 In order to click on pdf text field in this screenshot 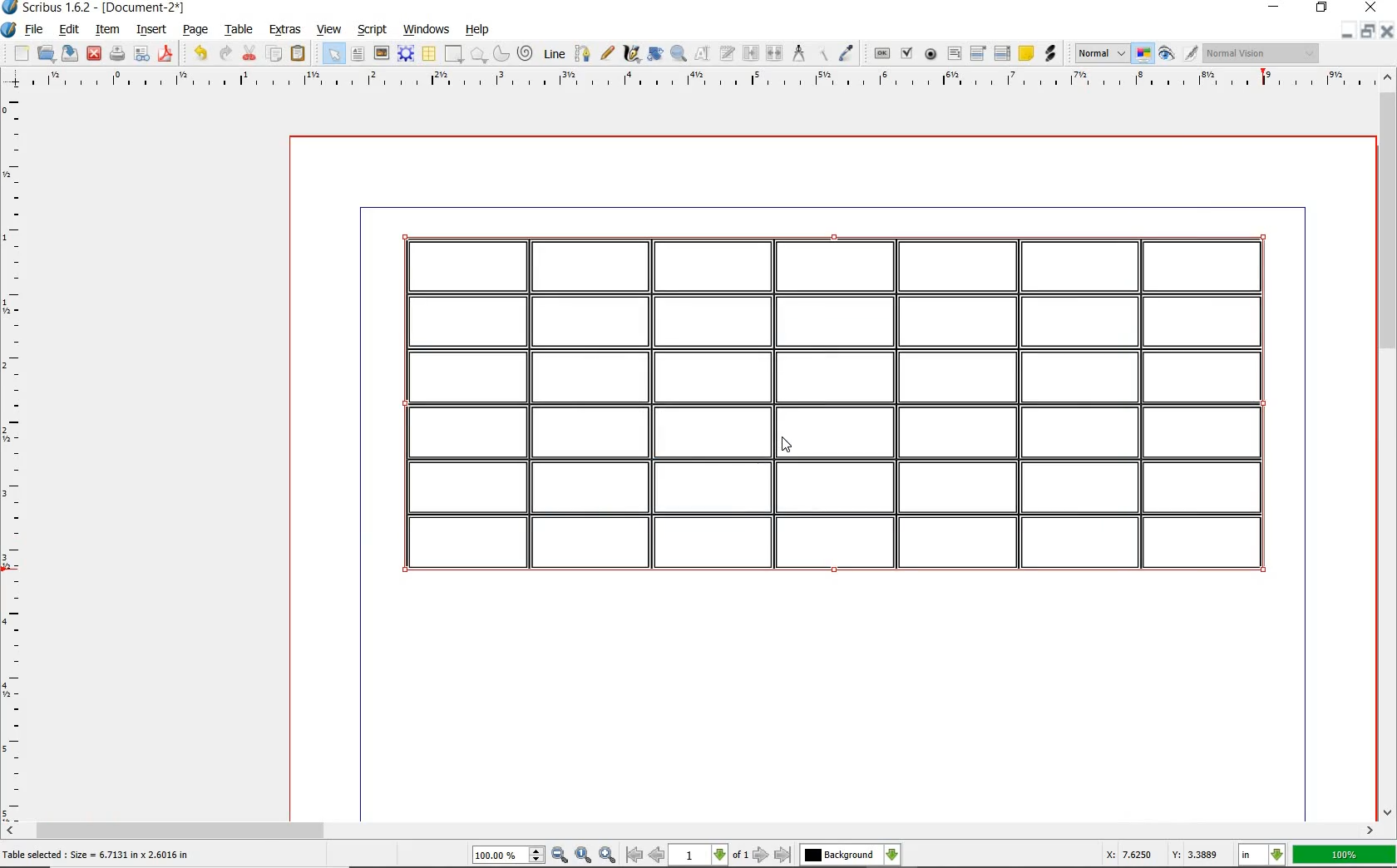, I will do `click(954, 54)`.